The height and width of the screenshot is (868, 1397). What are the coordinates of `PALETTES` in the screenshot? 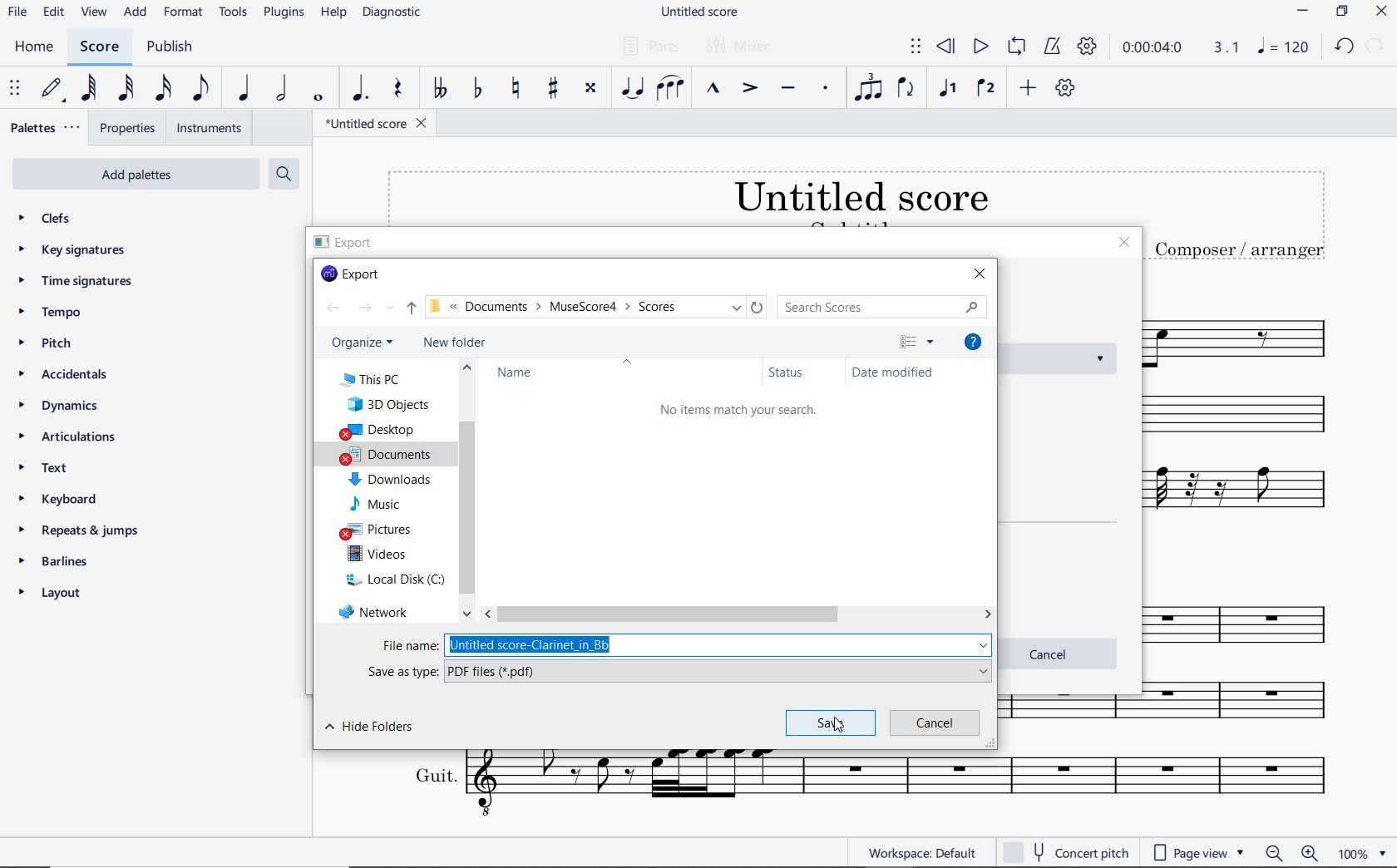 It's located at (46, 129).